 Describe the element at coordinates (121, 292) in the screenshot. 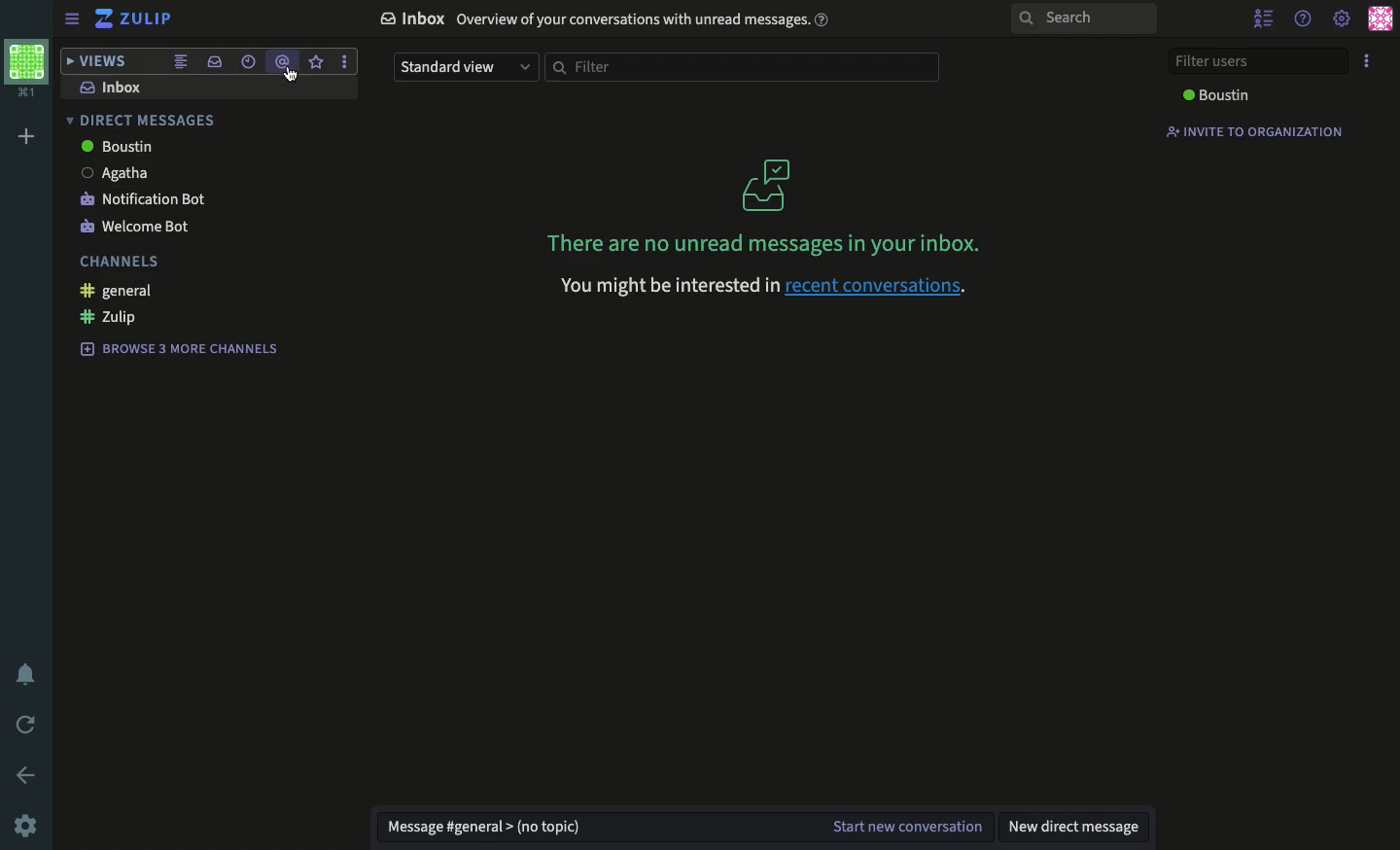

I see `general` at that location.